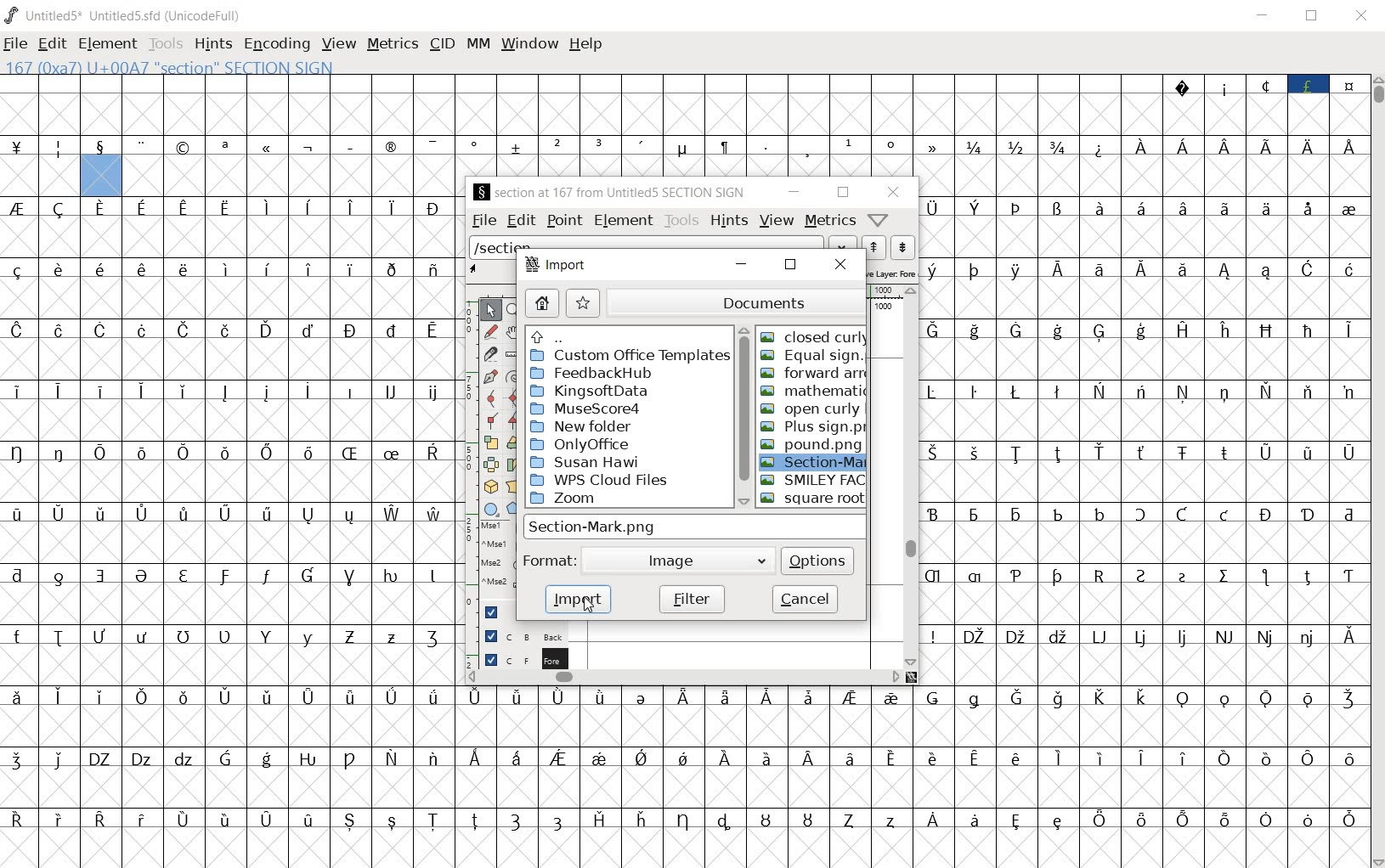 Image resolution: width=1385 pixels, height=868 pixels. Describe the element at coordinates (500, 559) in the screenshot. I see `mse1 mse1 mse2 mse2` at that location.